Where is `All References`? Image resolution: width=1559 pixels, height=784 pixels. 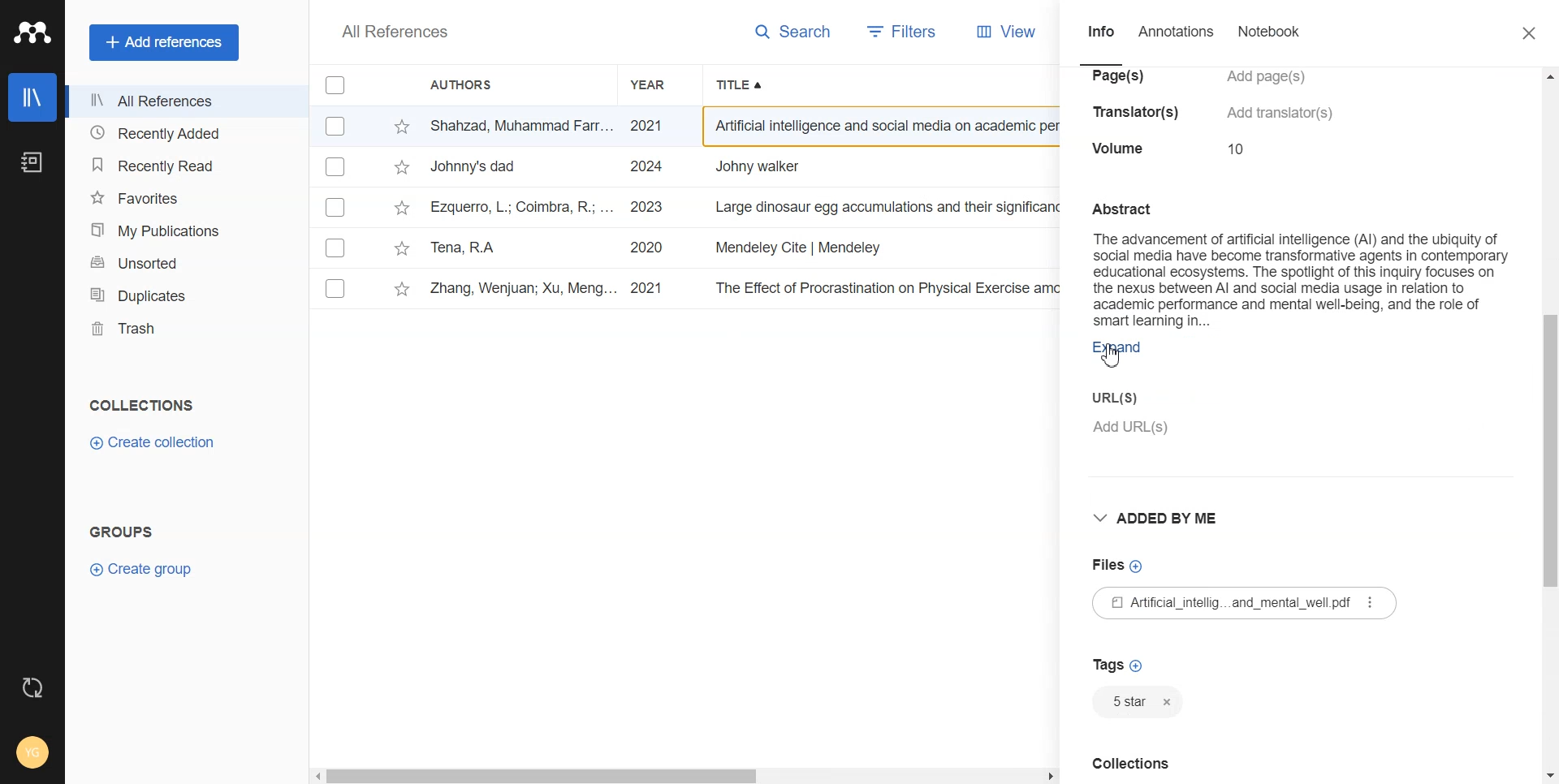 All References is located at coordinates (409, 31).